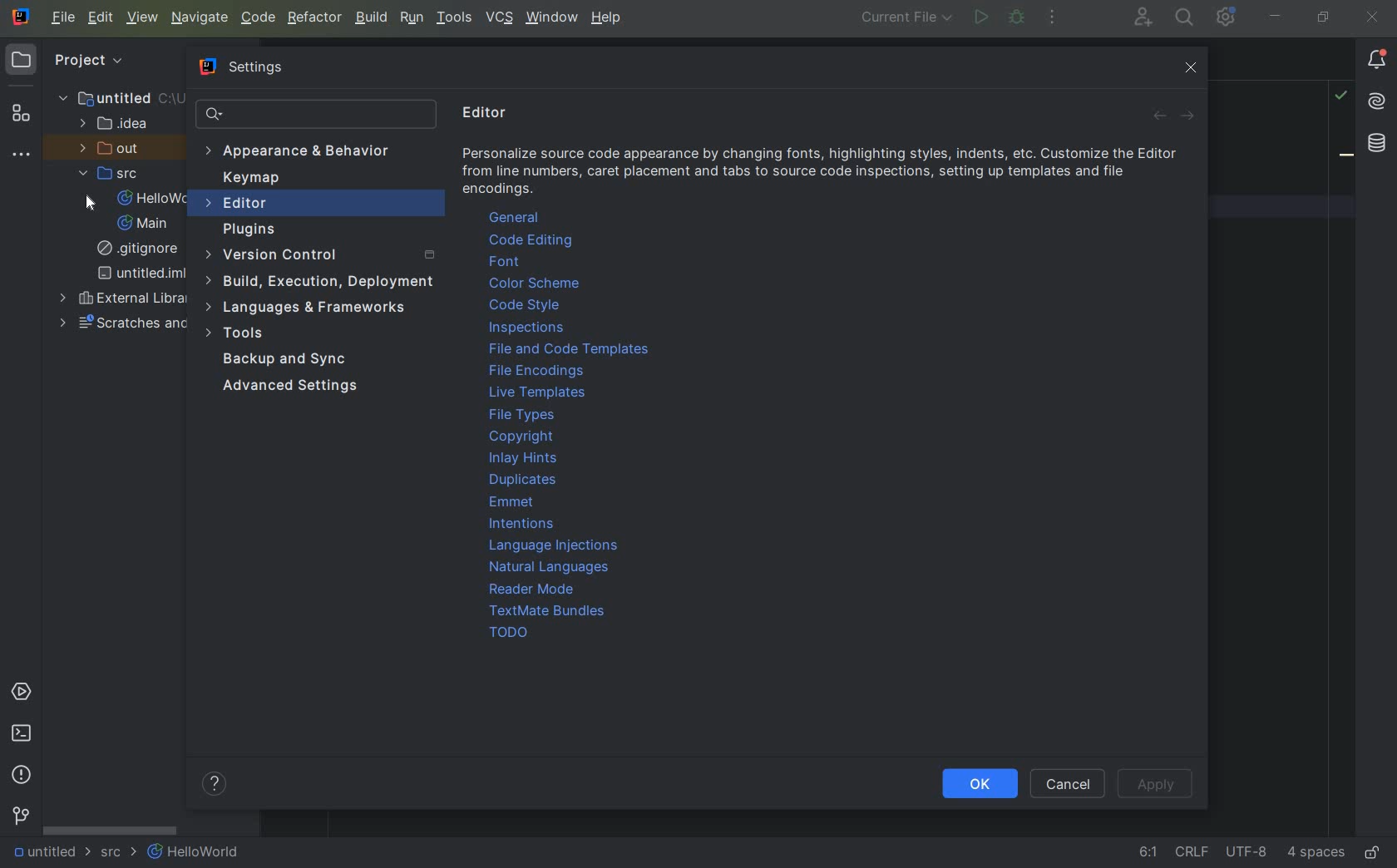  Describe the element at coordinates (111, 830) in the screenshot. I see `SCROLLBAR` at that location.